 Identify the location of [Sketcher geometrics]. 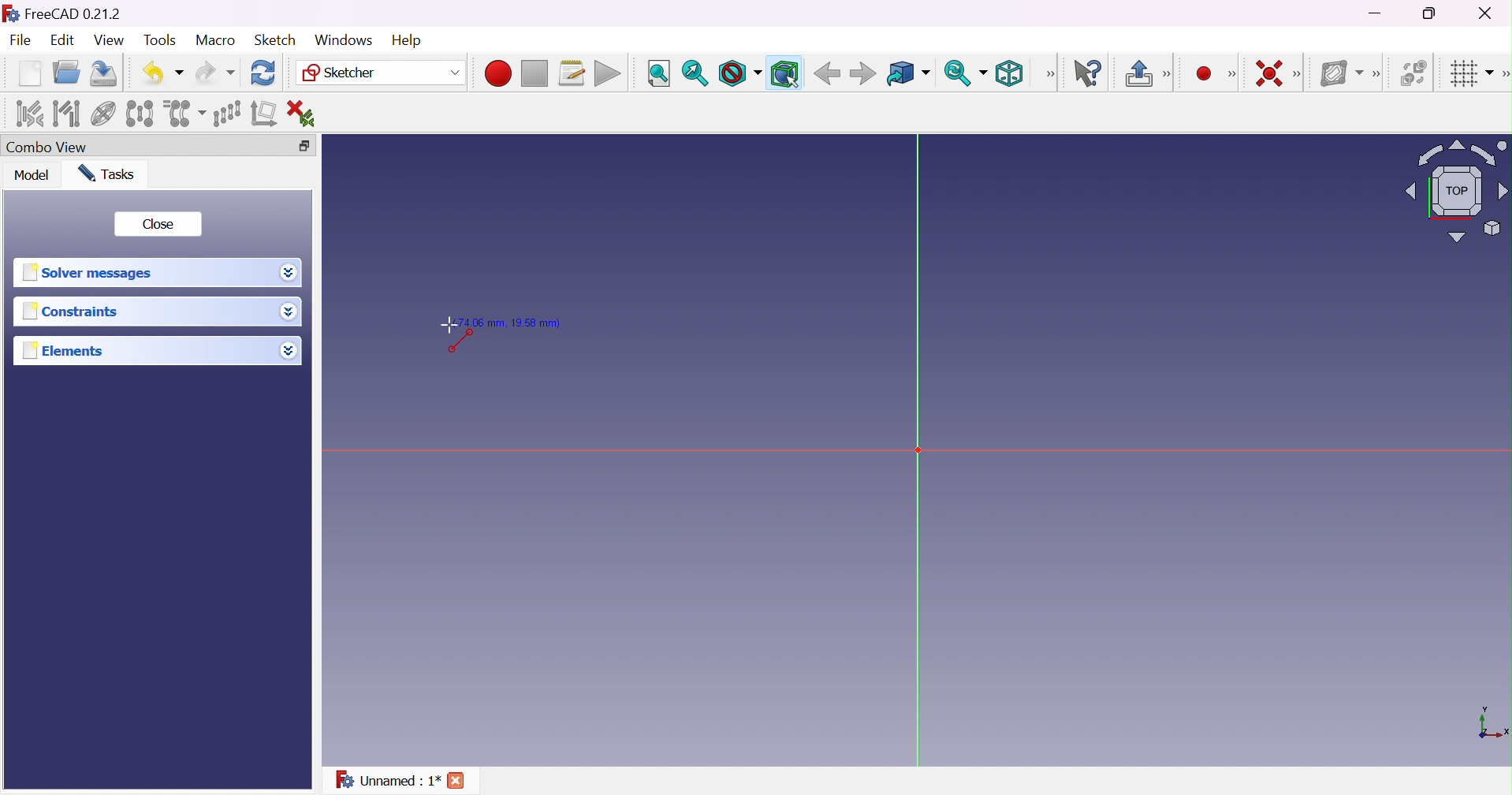
(1232, 74).